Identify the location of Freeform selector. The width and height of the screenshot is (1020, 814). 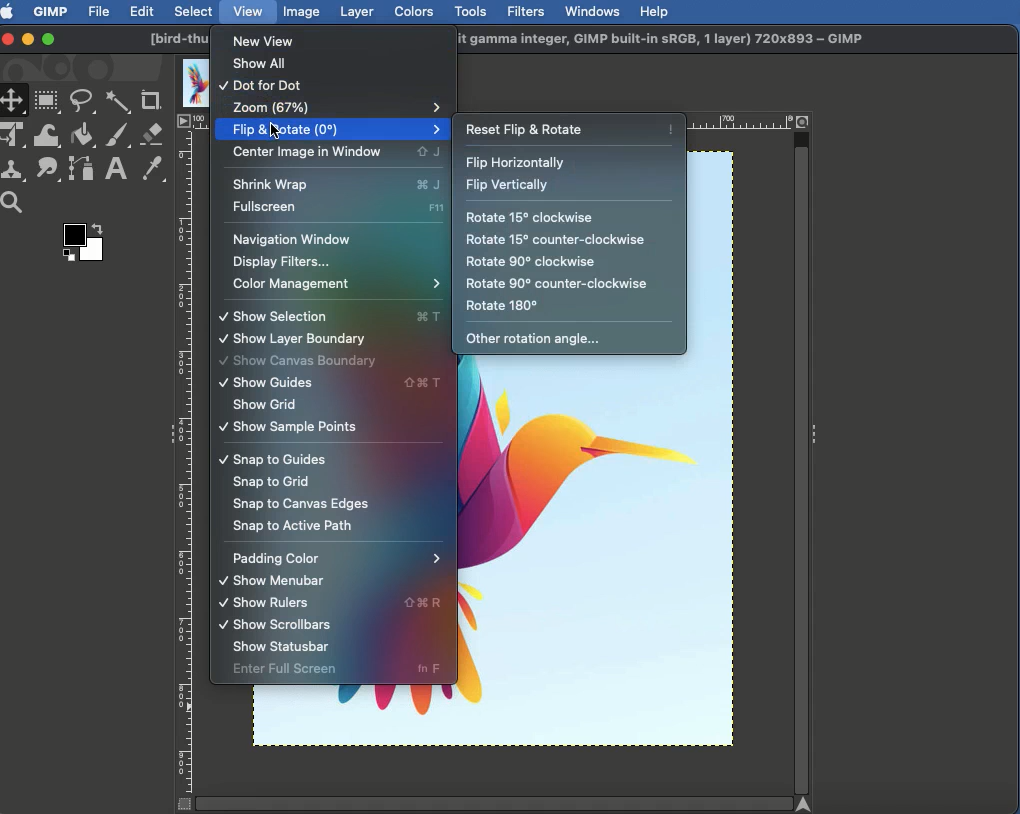
(84, 104).